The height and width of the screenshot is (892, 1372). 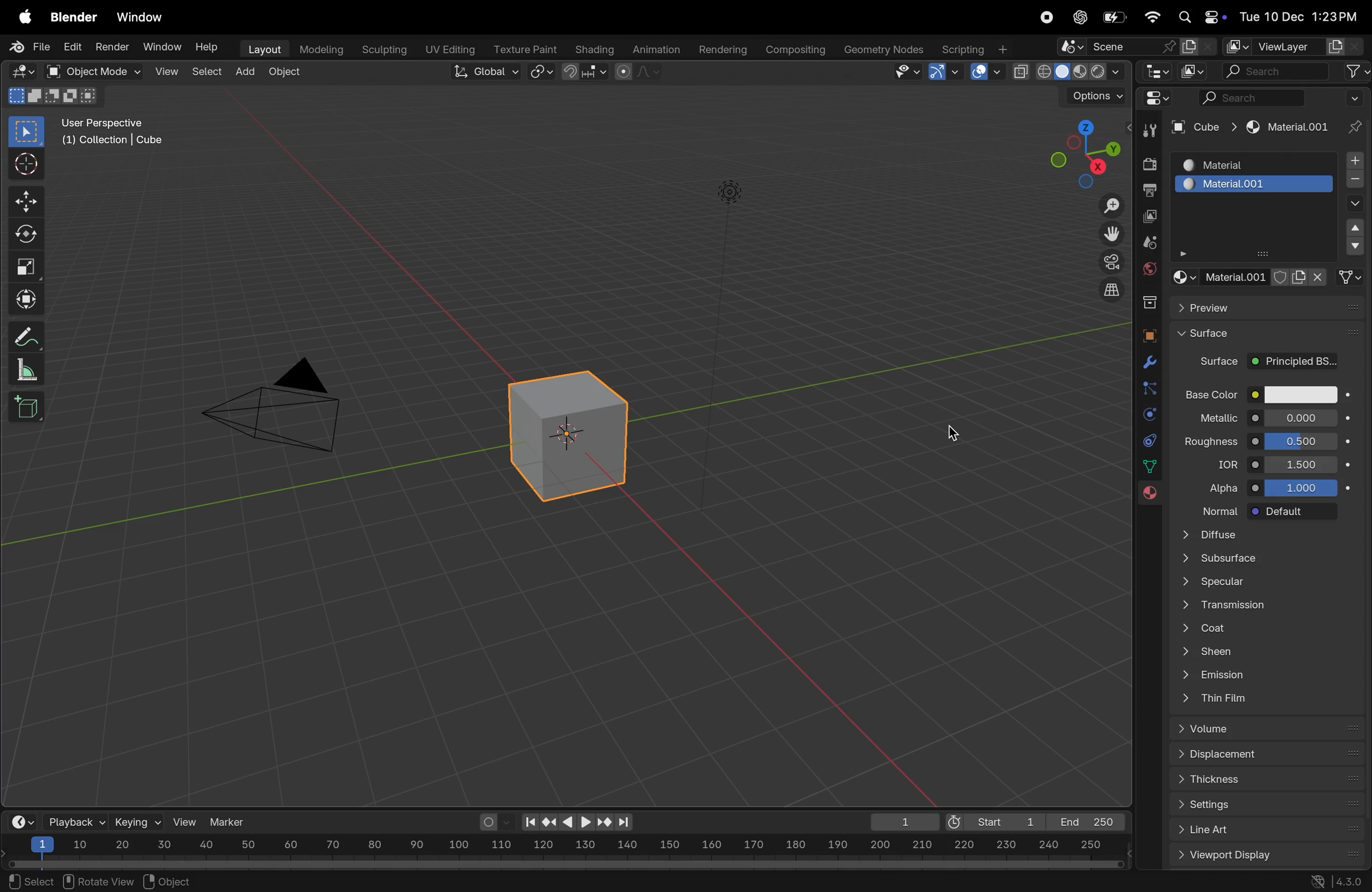 What do you see at coordinates (1262, 831) in the screenshot?
I see `list art` at bounding box center [1262, 831].